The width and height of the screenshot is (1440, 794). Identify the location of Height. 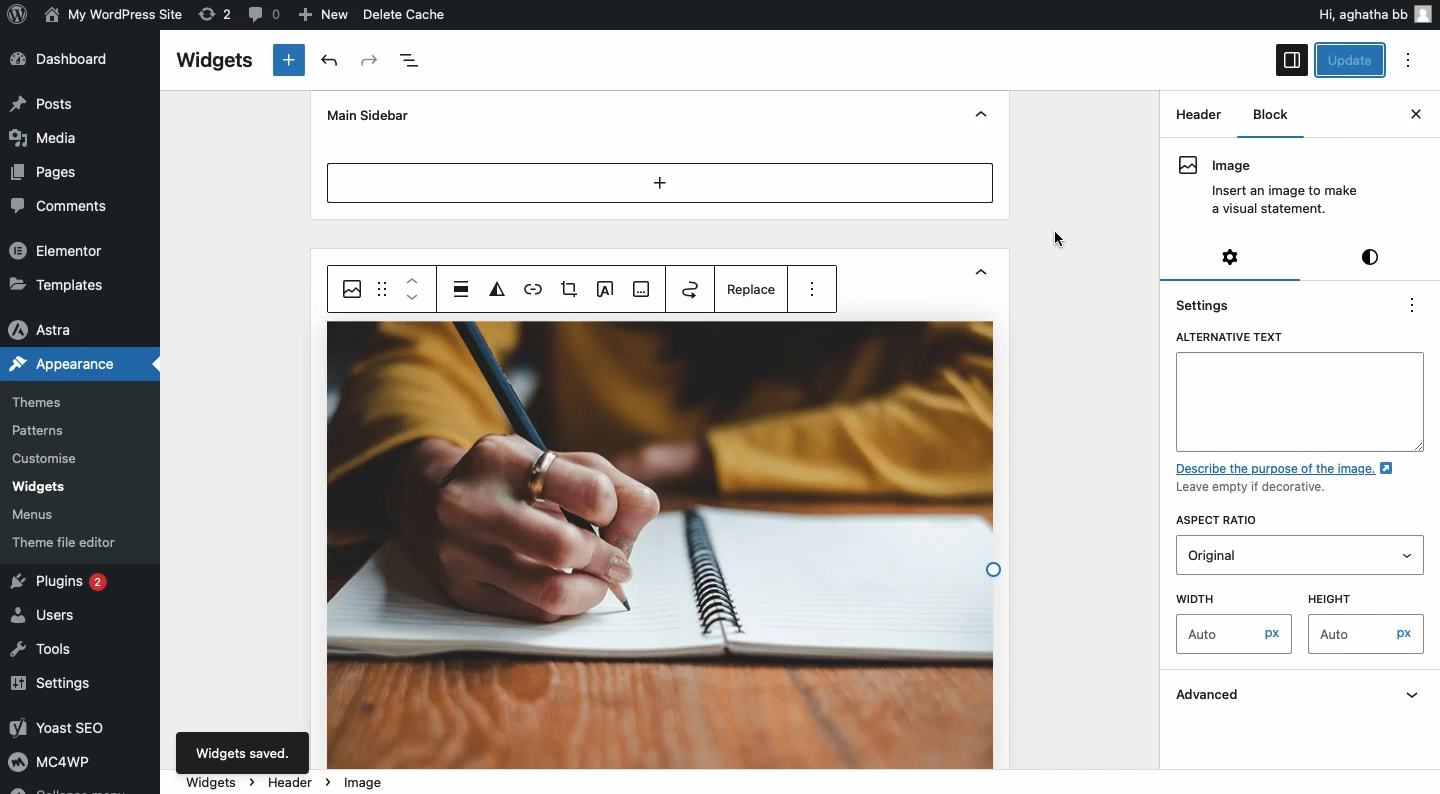
(1354, 596).